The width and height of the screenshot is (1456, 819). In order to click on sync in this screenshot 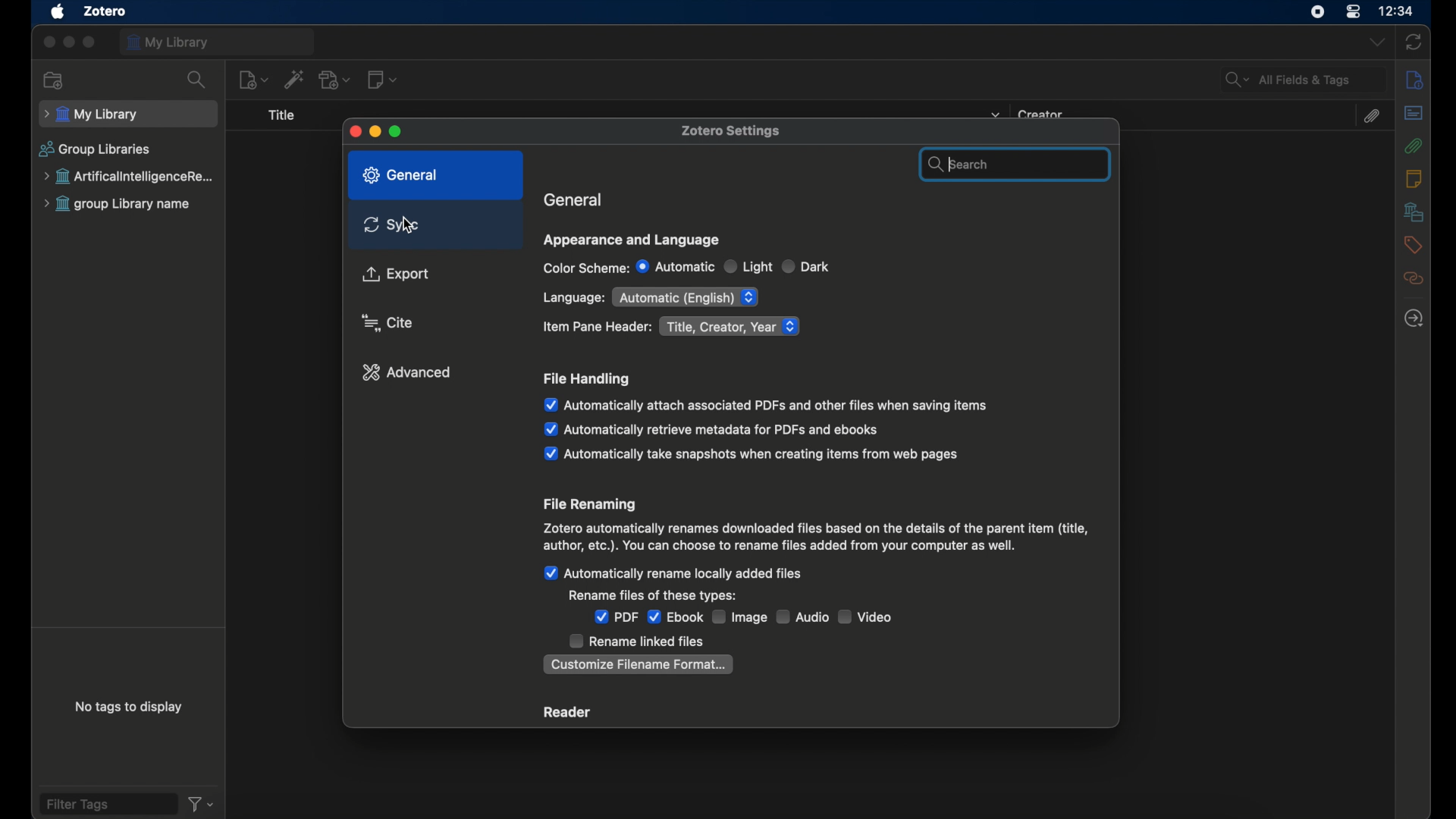, I will do `click(1414, 42)`.